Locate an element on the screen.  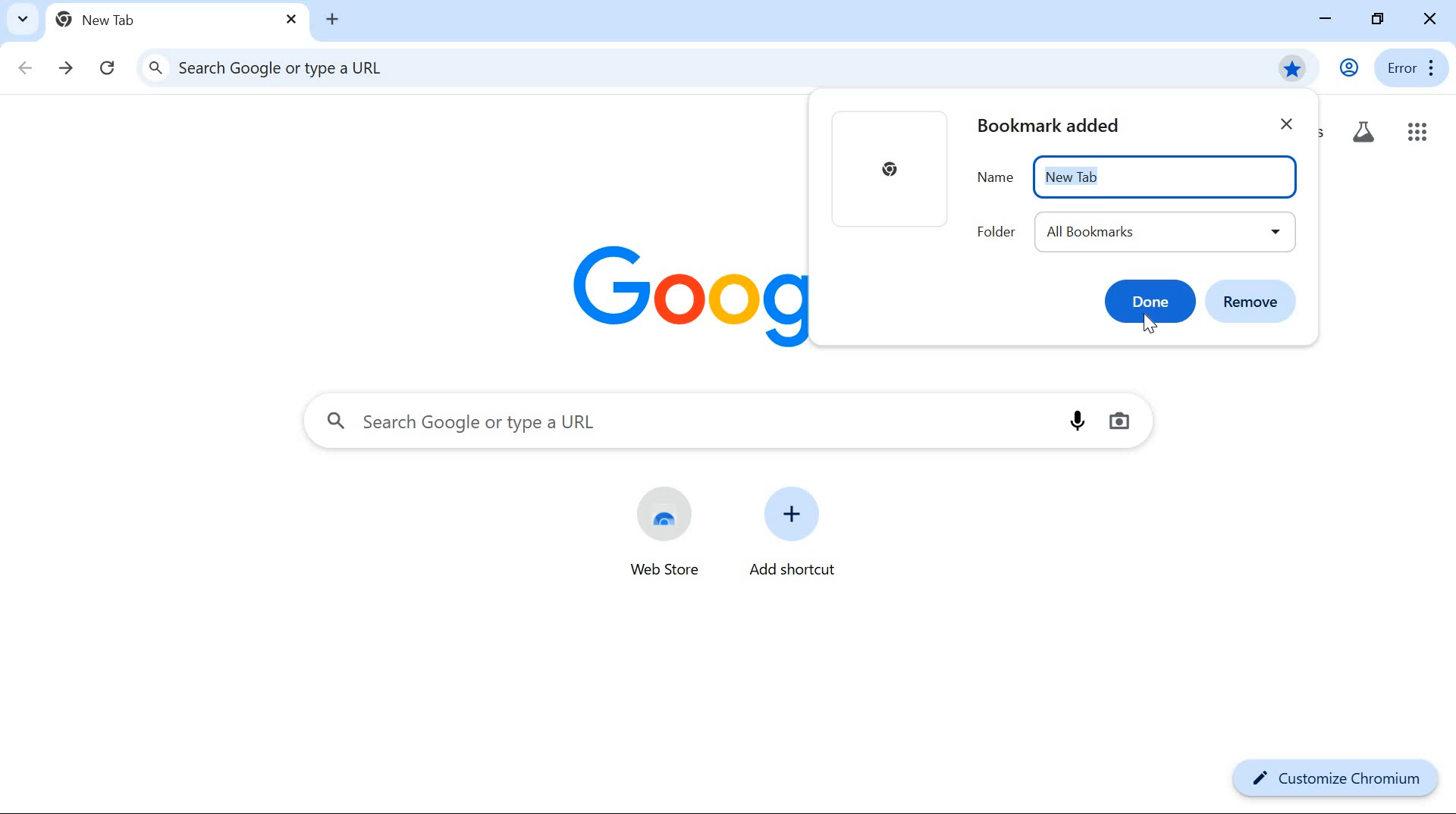
back is located at coordinates (26, 64).